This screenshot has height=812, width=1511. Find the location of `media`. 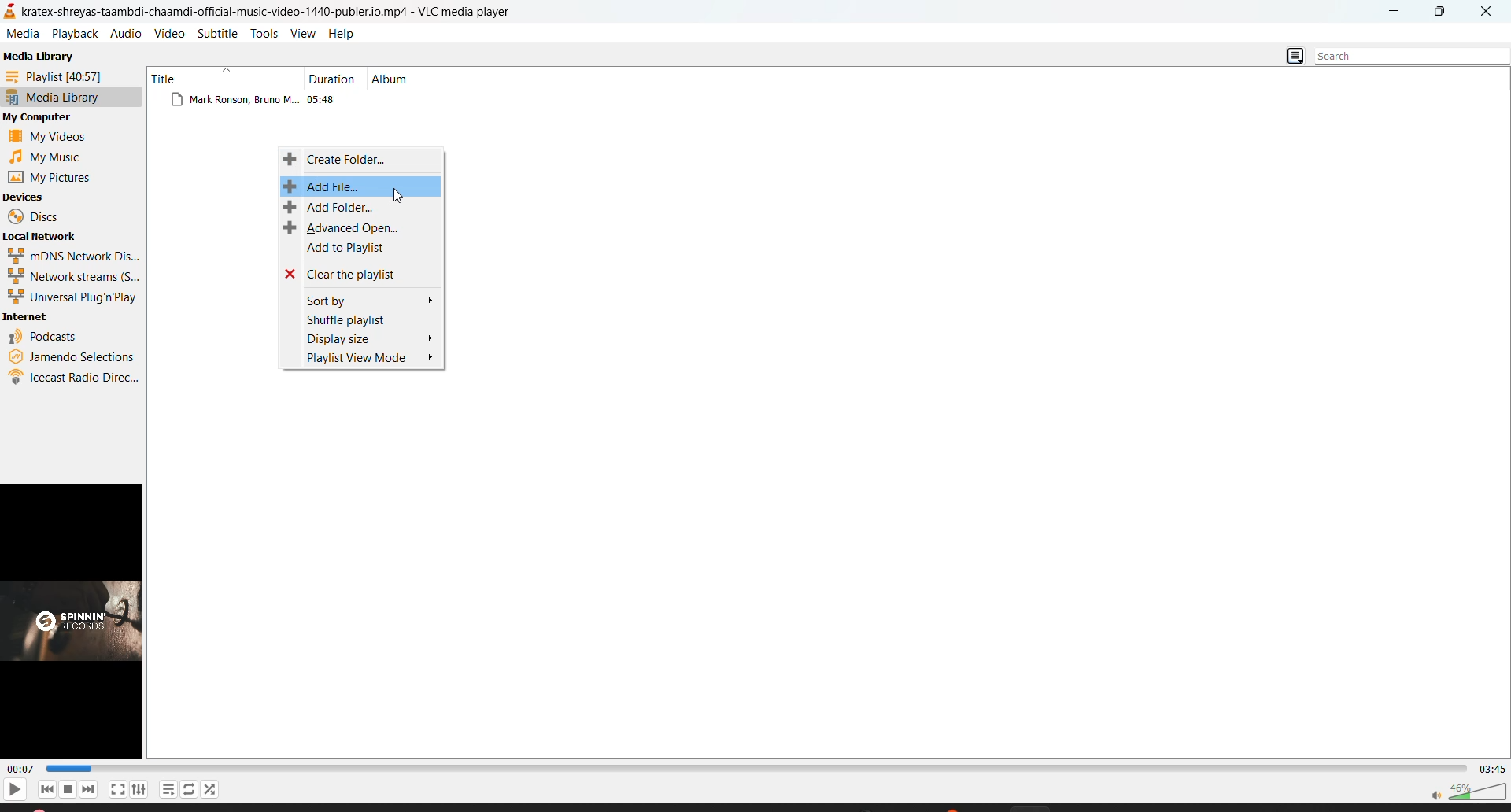

media is located at coordinates (21, 35).